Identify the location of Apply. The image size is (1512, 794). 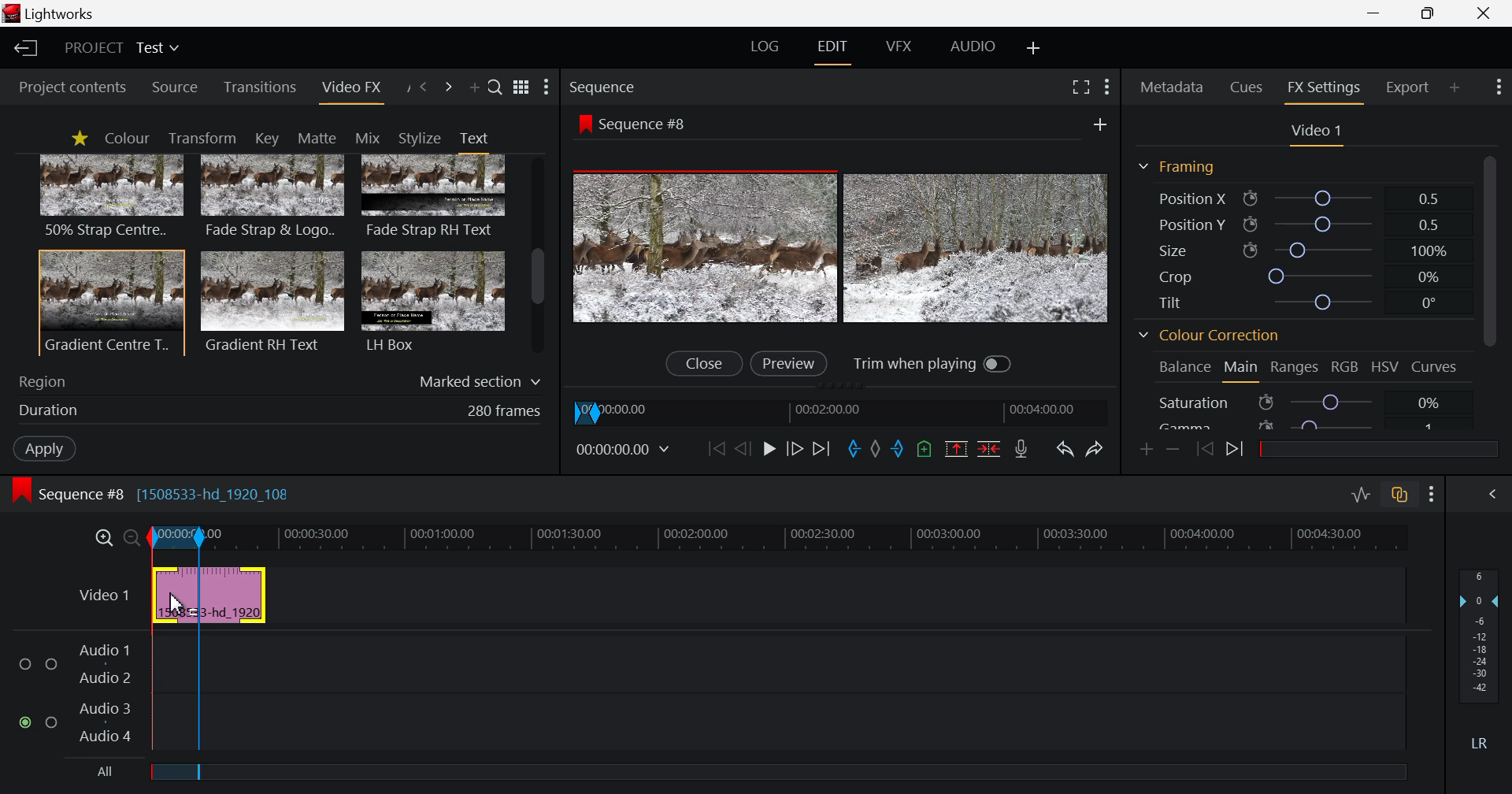
(41, 447).